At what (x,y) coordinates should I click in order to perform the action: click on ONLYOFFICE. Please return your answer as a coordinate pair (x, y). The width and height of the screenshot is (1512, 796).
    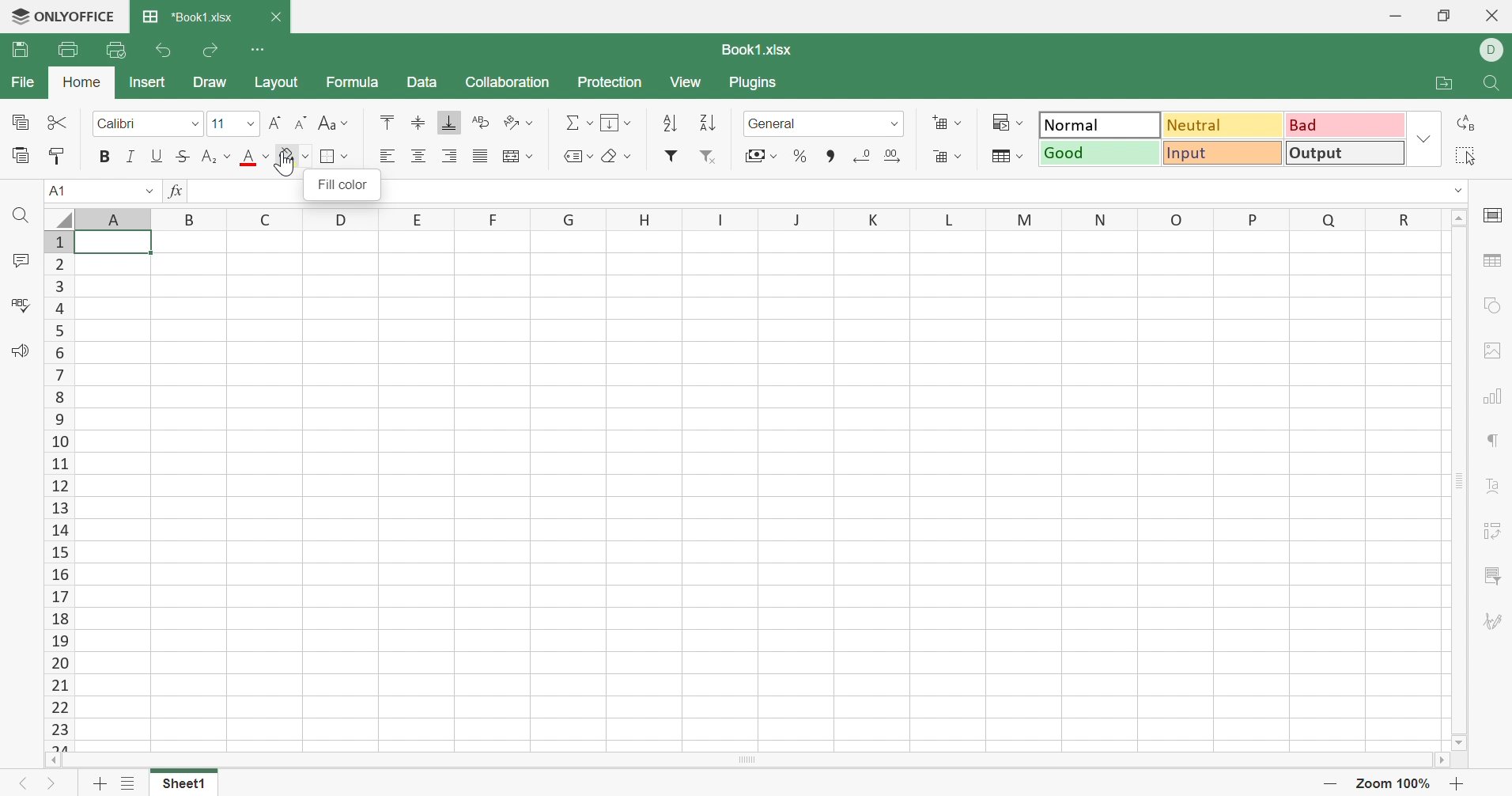
    Looking at the image, I should click on (62, 16).